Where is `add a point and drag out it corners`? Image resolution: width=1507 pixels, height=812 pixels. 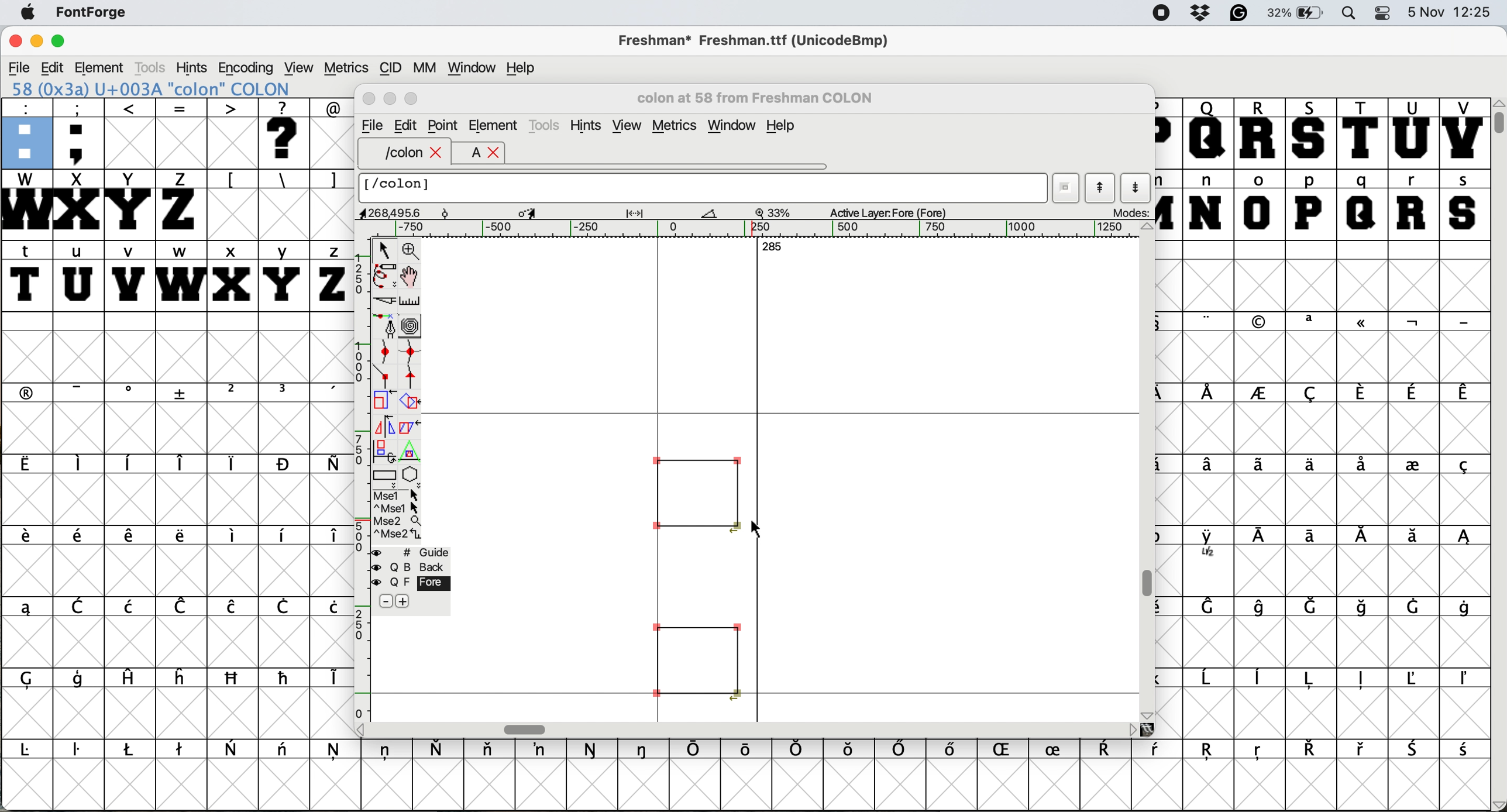 add a point and drag out it corners is located at coordinates (385, 326).